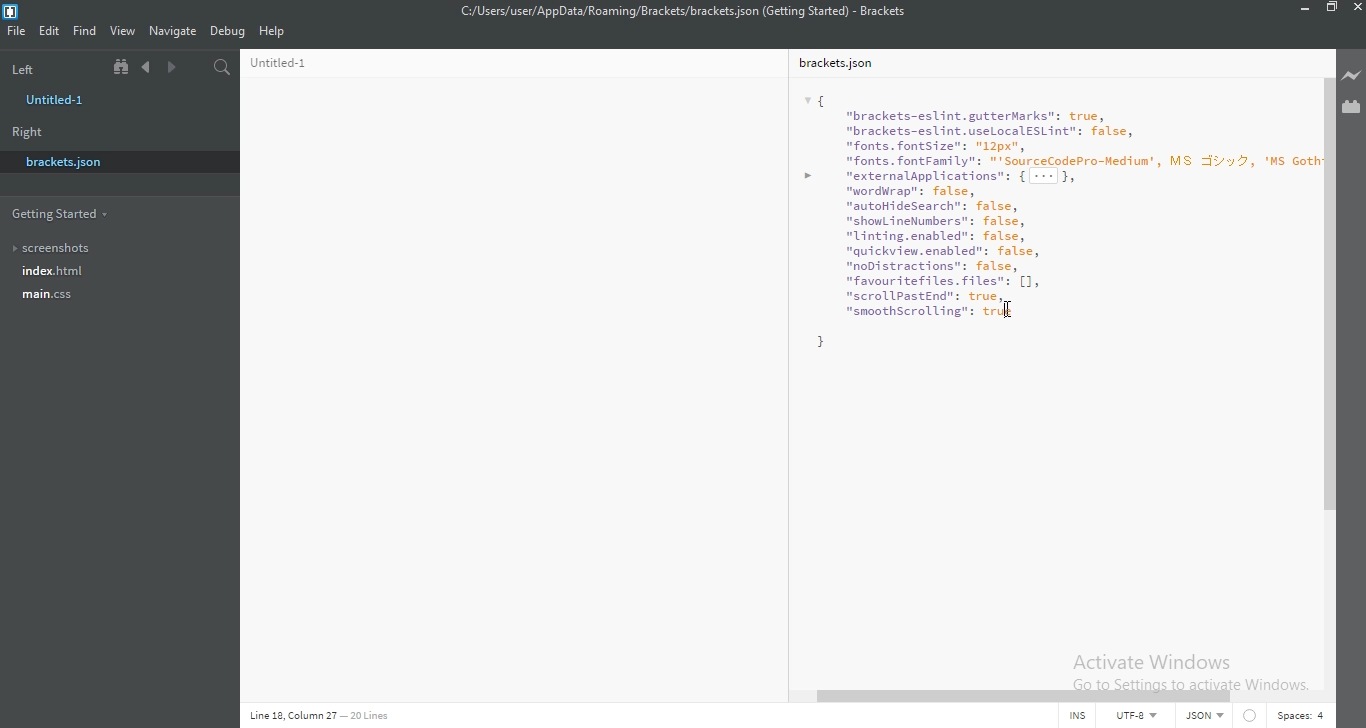  I want to click on JSON, so click(1210, 718).